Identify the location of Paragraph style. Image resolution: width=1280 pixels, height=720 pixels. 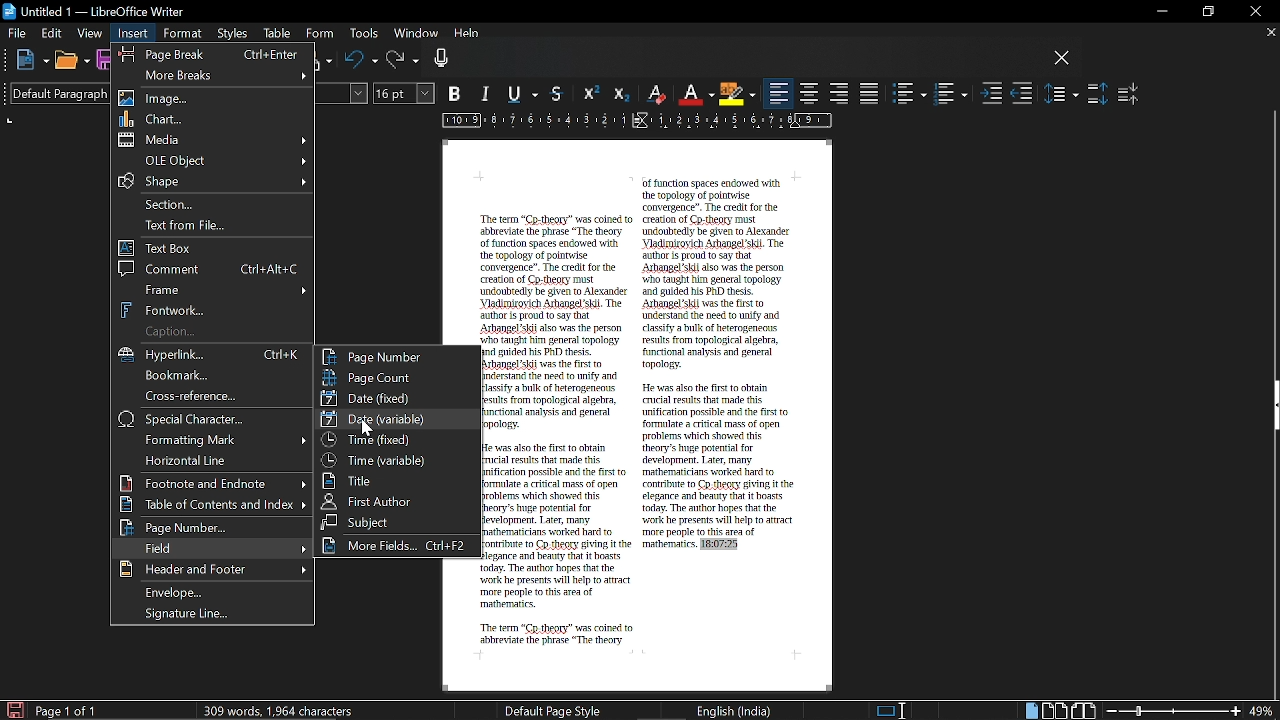
(53, 93).